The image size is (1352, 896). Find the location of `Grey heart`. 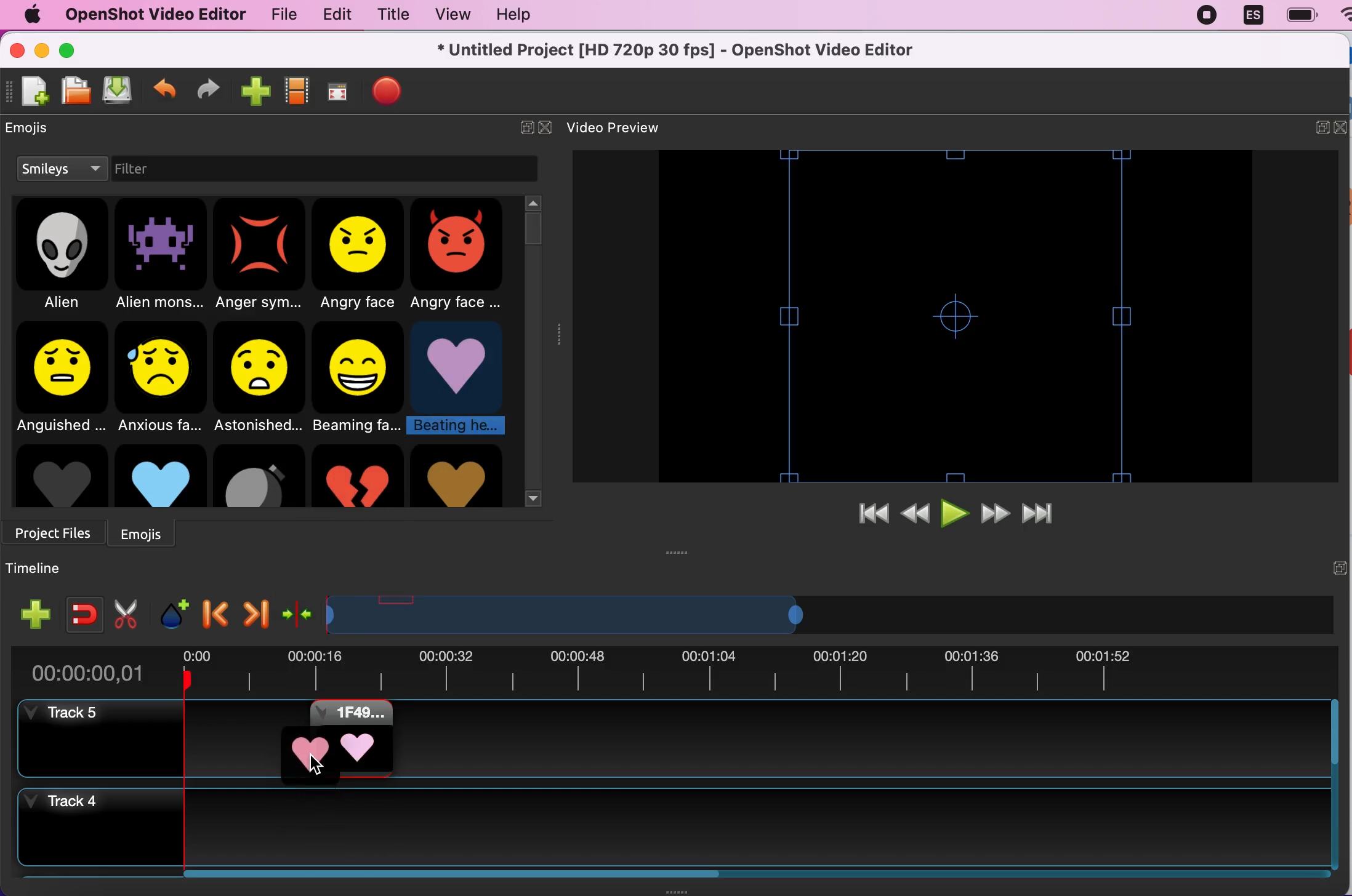

Grey heart is located at coordinates (60, 476).